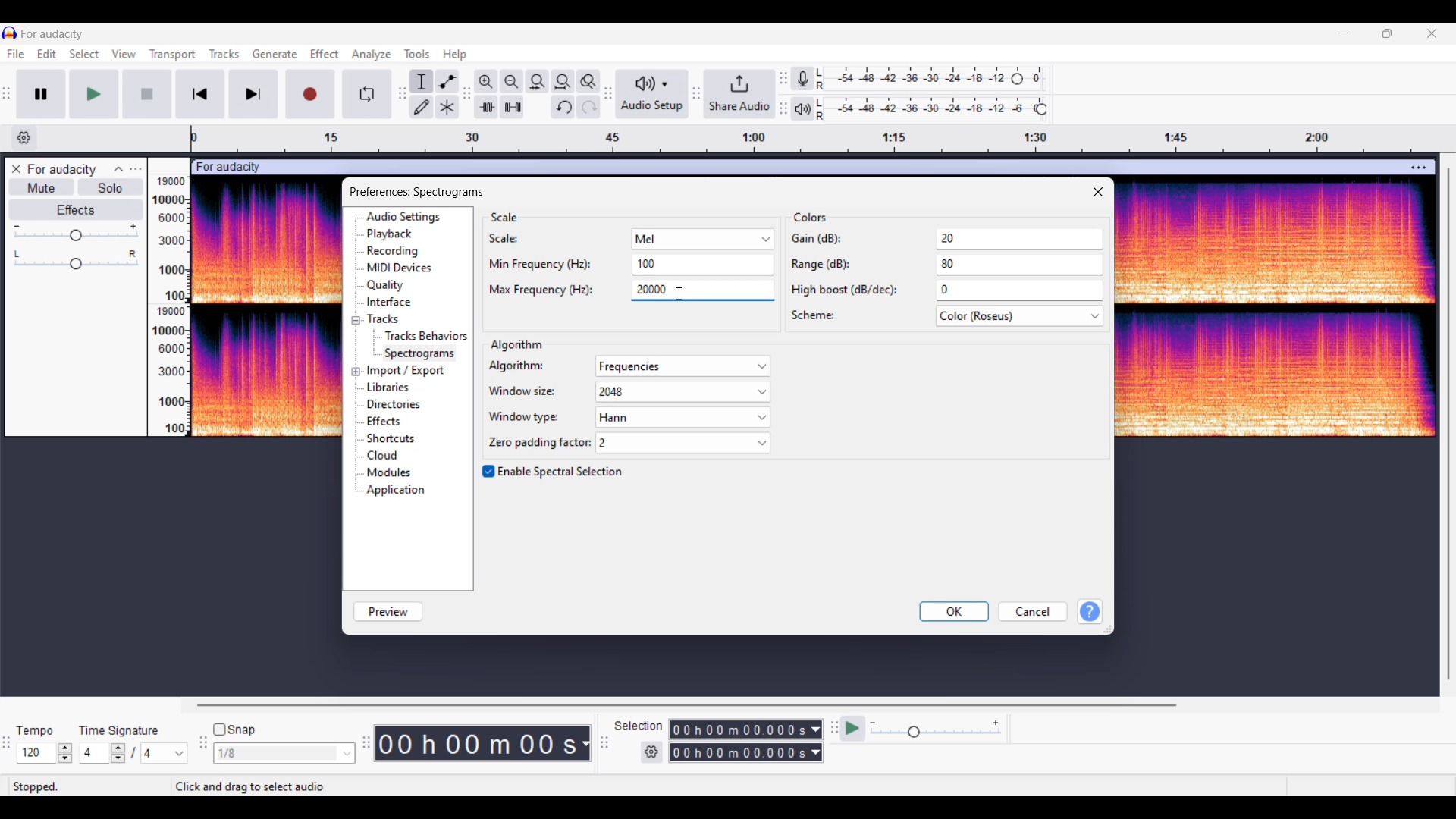 This screenshot has width=1456, height=819. Describe the element at coordinates (739, 93) in the screenshot. I see `Share audio` at that location.